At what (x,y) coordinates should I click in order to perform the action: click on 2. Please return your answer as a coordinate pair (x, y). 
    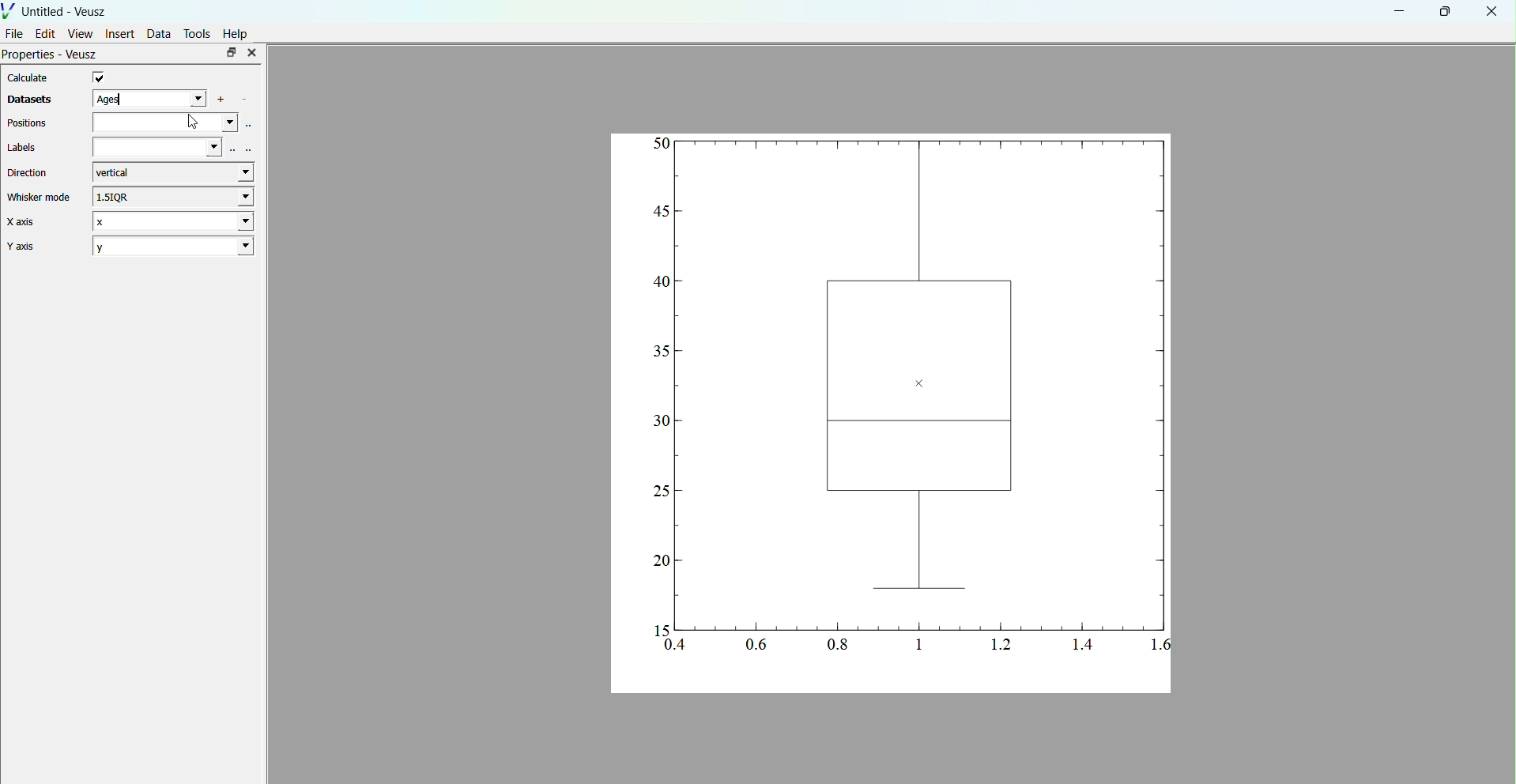
    Looking at the image, I should click on (172, 246).